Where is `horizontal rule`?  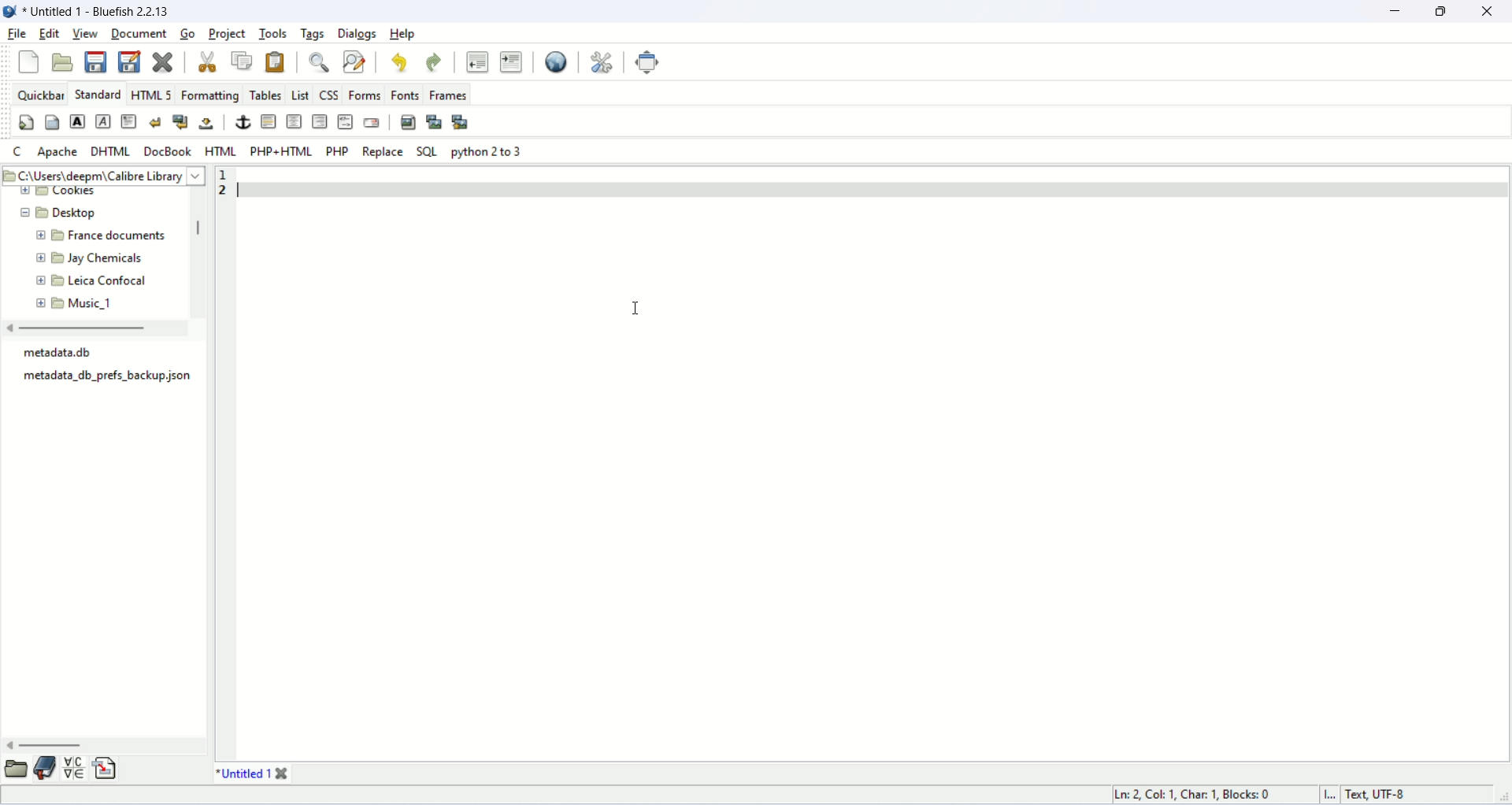
horizontal rule is located at coordinates (267, 121).